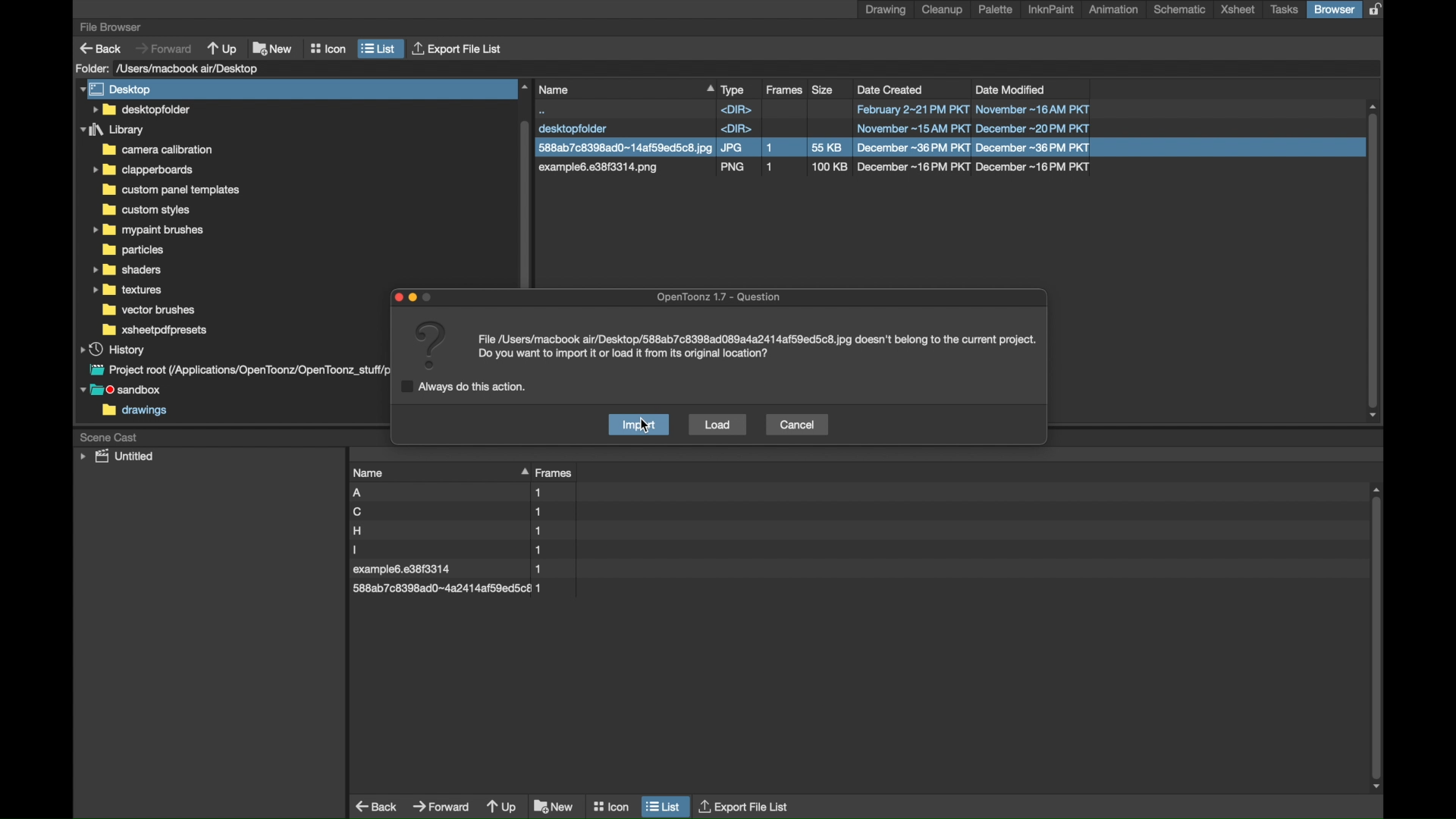  I want to click on scroll box, so click(526, 184).